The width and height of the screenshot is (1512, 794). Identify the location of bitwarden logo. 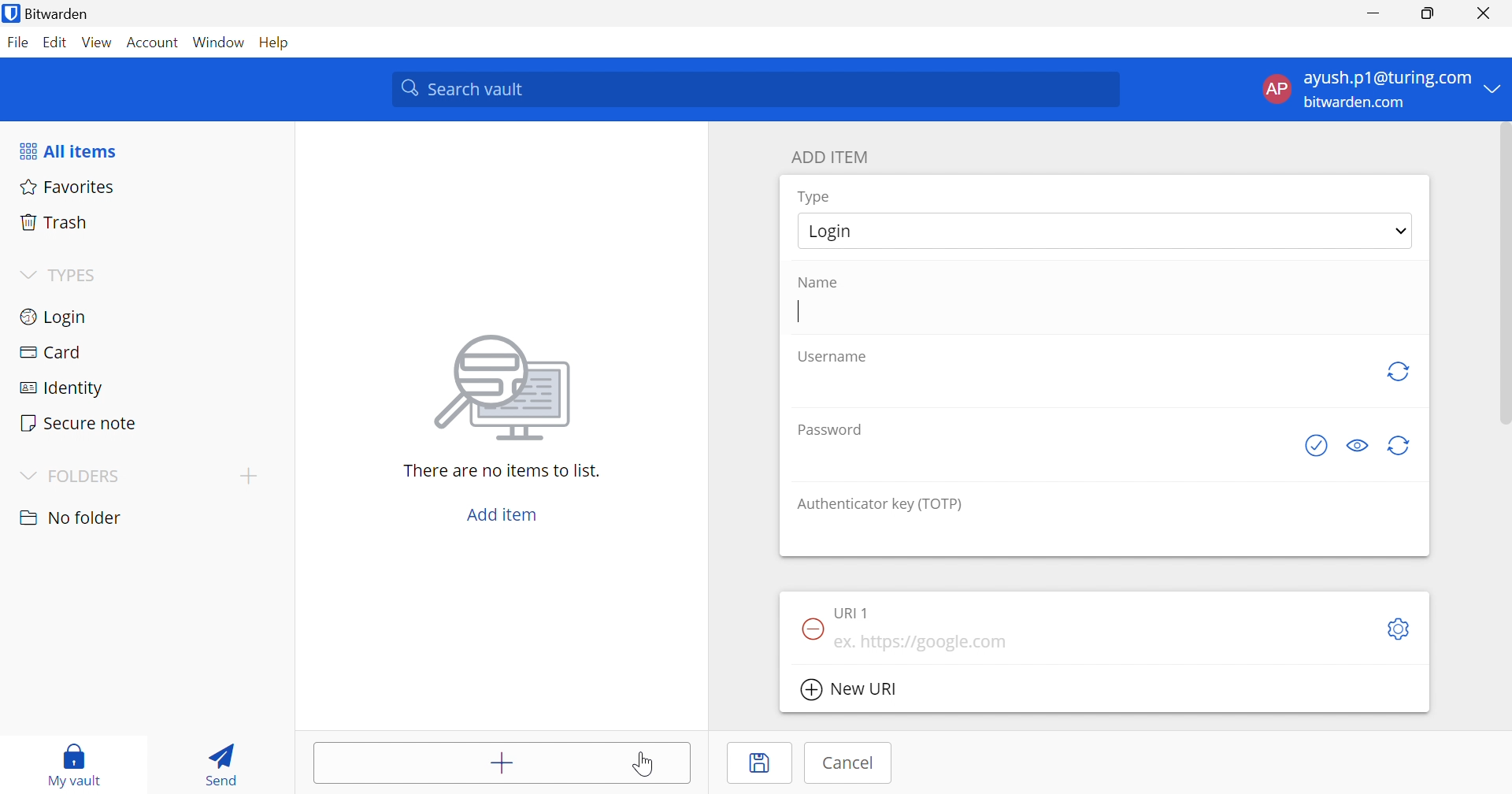
(11, 13).